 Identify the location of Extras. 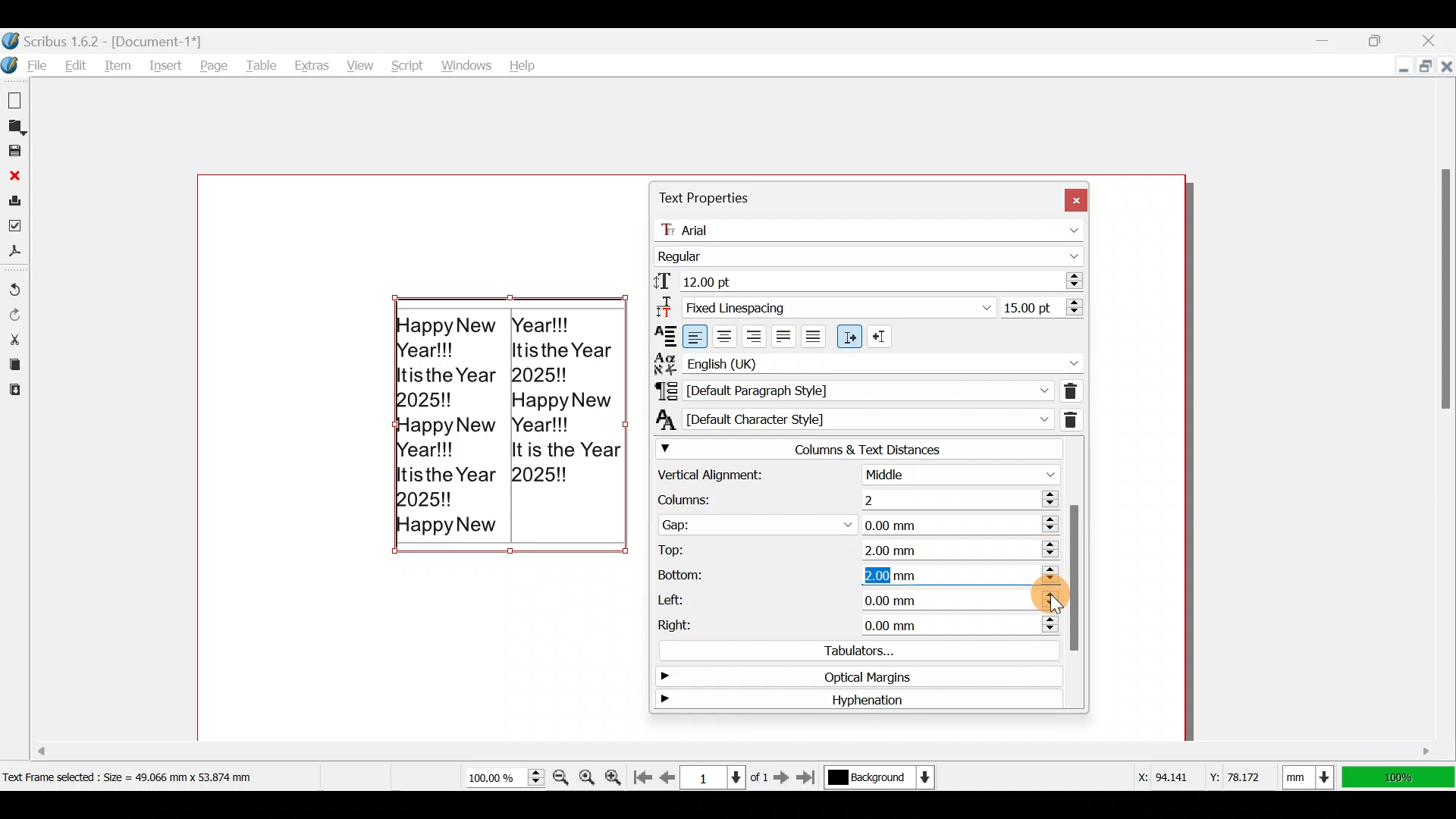
(317, 63).